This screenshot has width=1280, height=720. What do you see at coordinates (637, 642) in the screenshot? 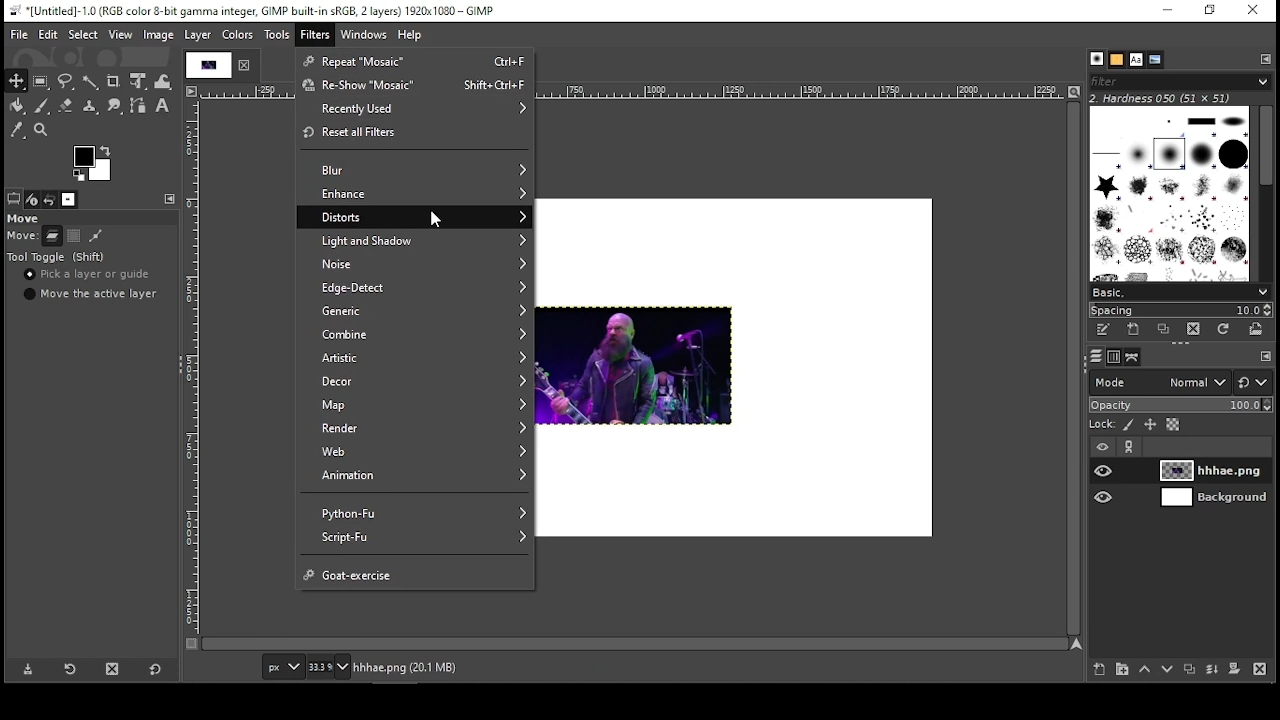
I see `scroll bar` at bounding box center [637, 642].